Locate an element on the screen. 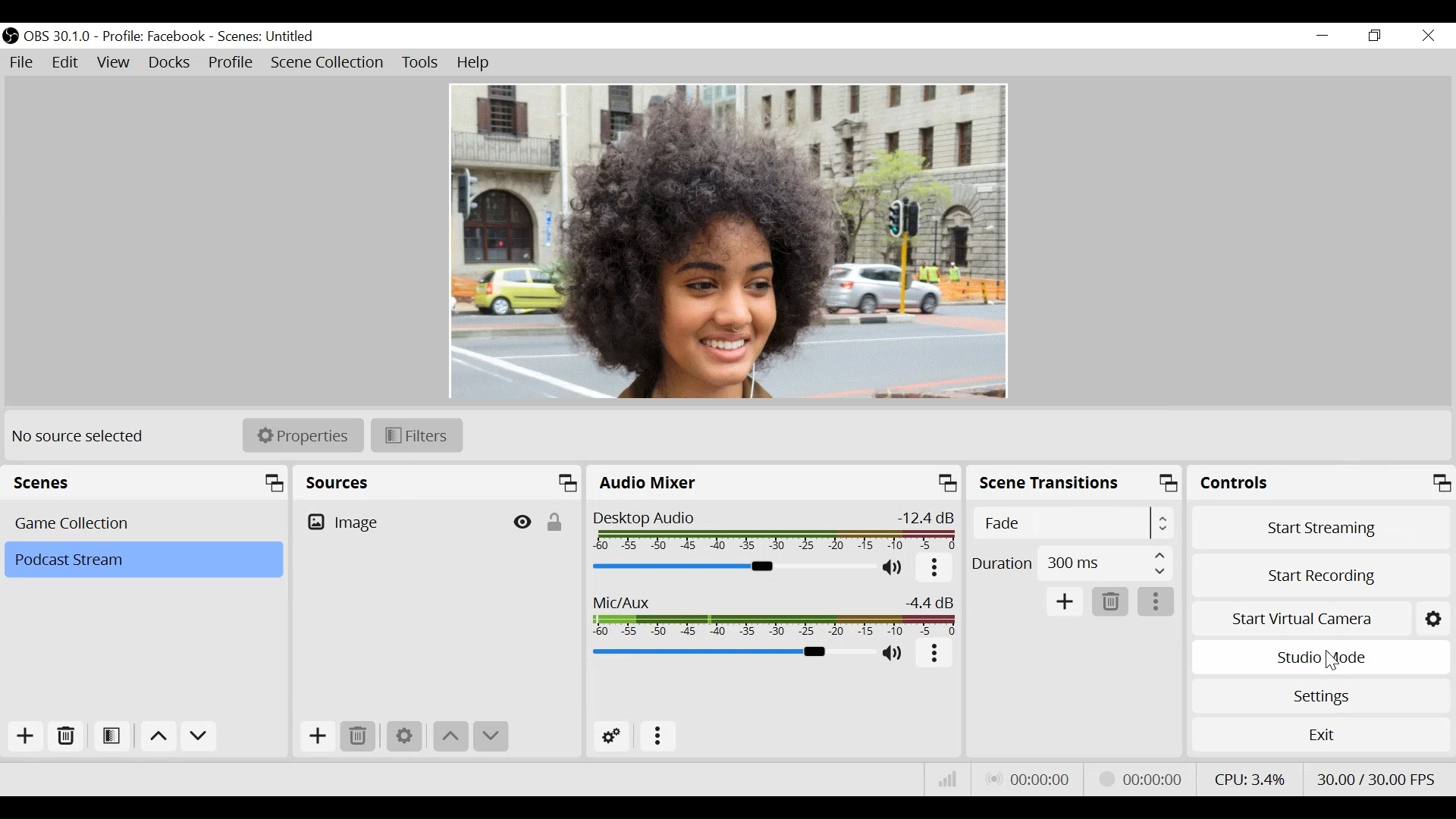 This screenshot has height=819, width=1456. Add is located at coordinates (1063, 601).